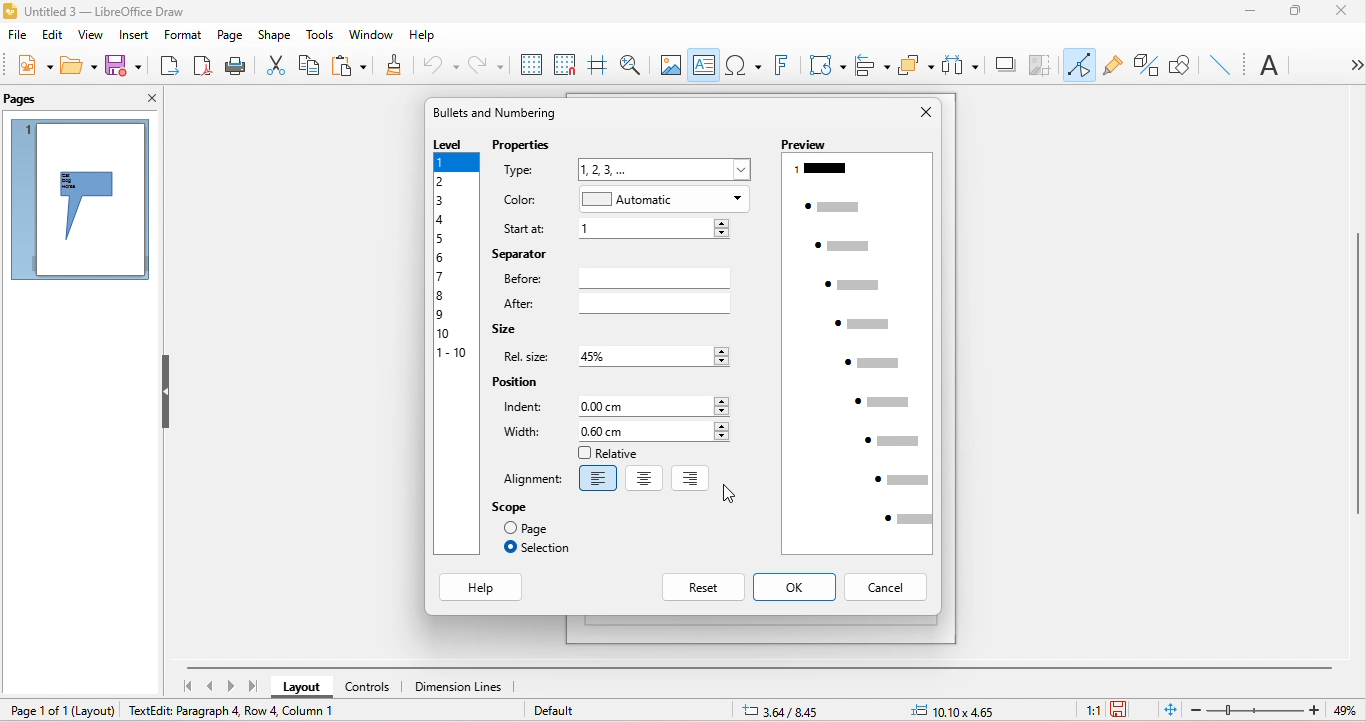  Describe the element at coordinates (618, 278) in the screenshot. I see `before` at that location.